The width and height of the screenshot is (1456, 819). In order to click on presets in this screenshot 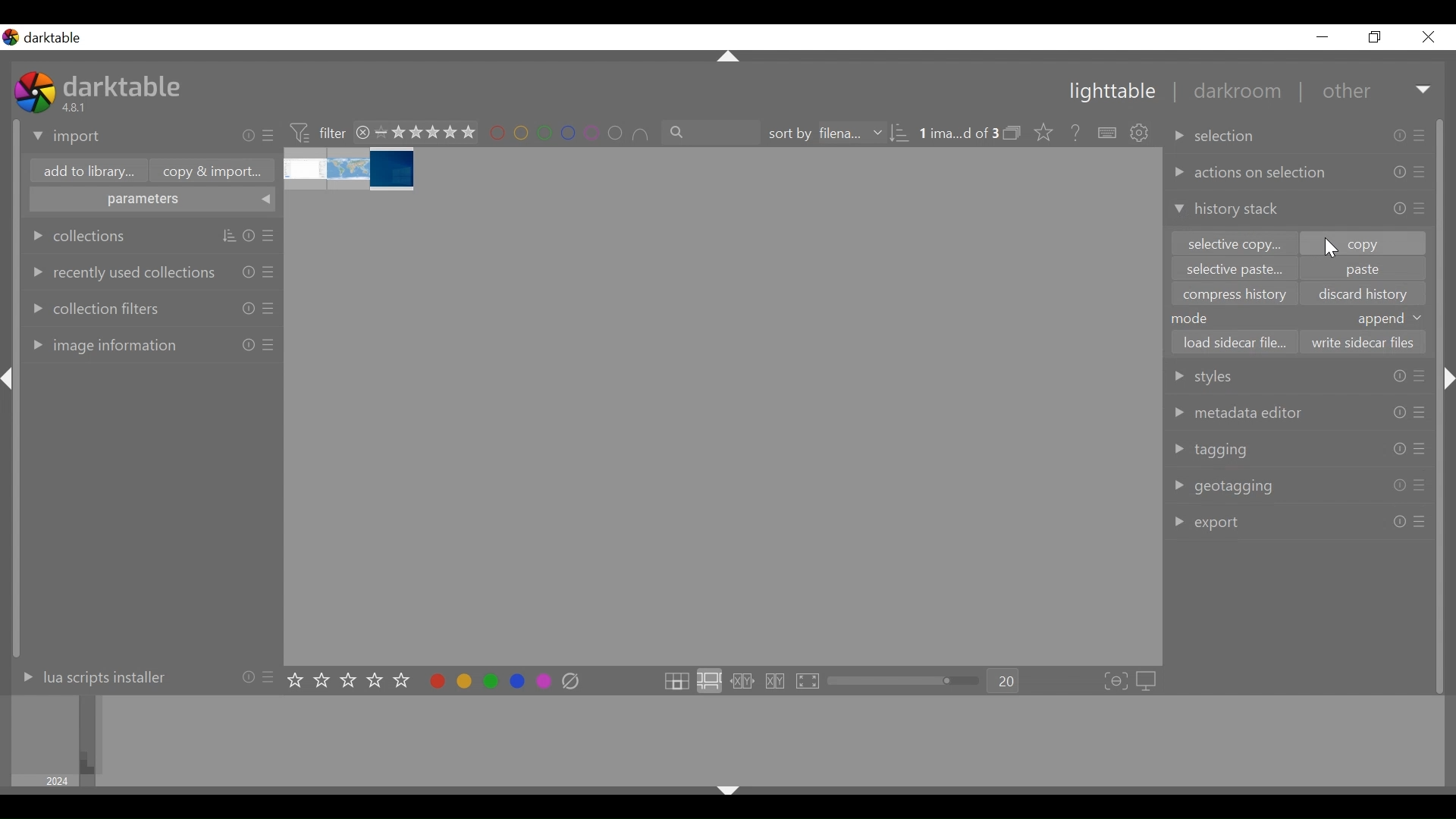, I will do `click(270, 136)`.